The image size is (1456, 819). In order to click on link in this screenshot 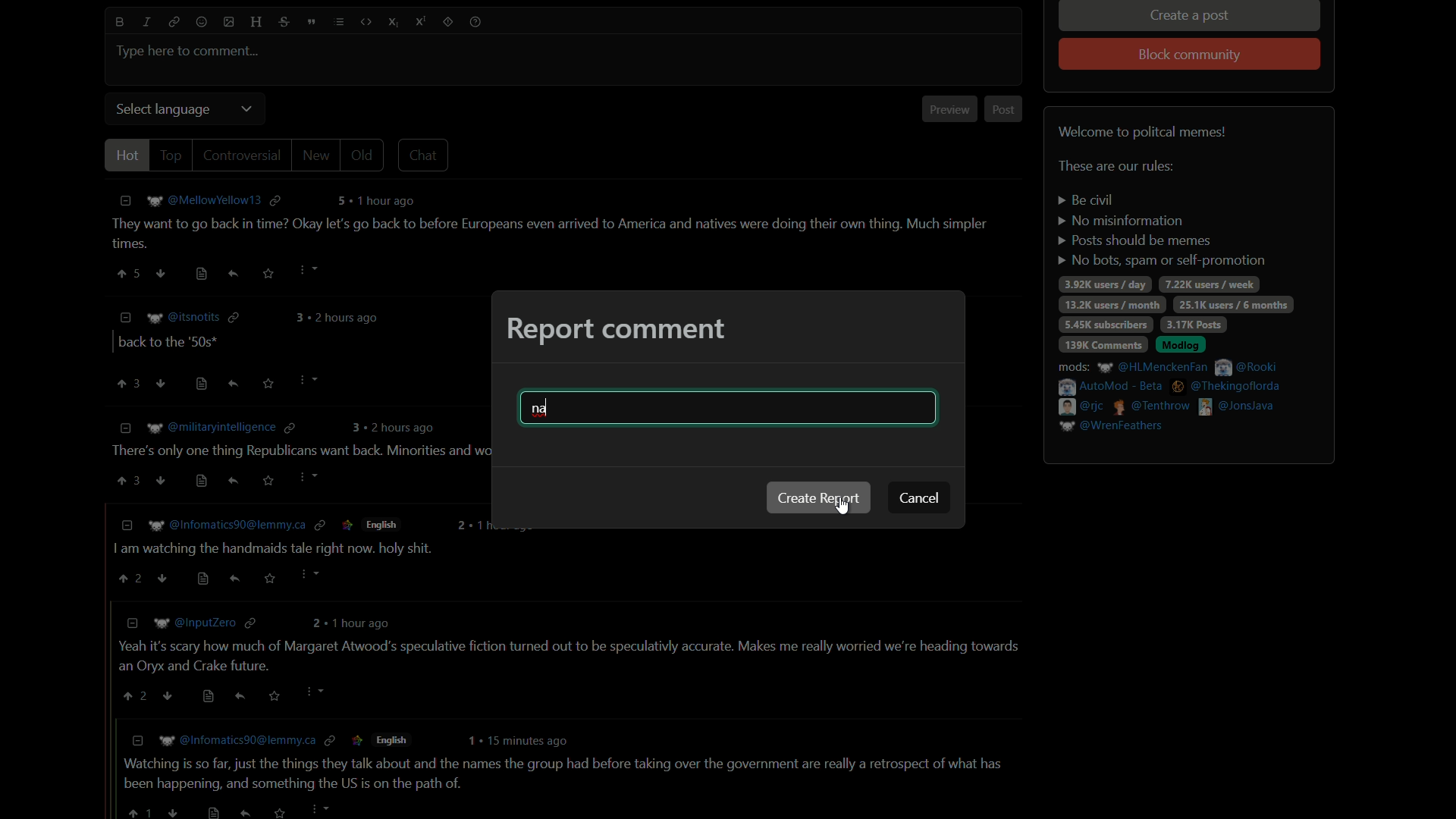, I will do `click(172, 22)`.